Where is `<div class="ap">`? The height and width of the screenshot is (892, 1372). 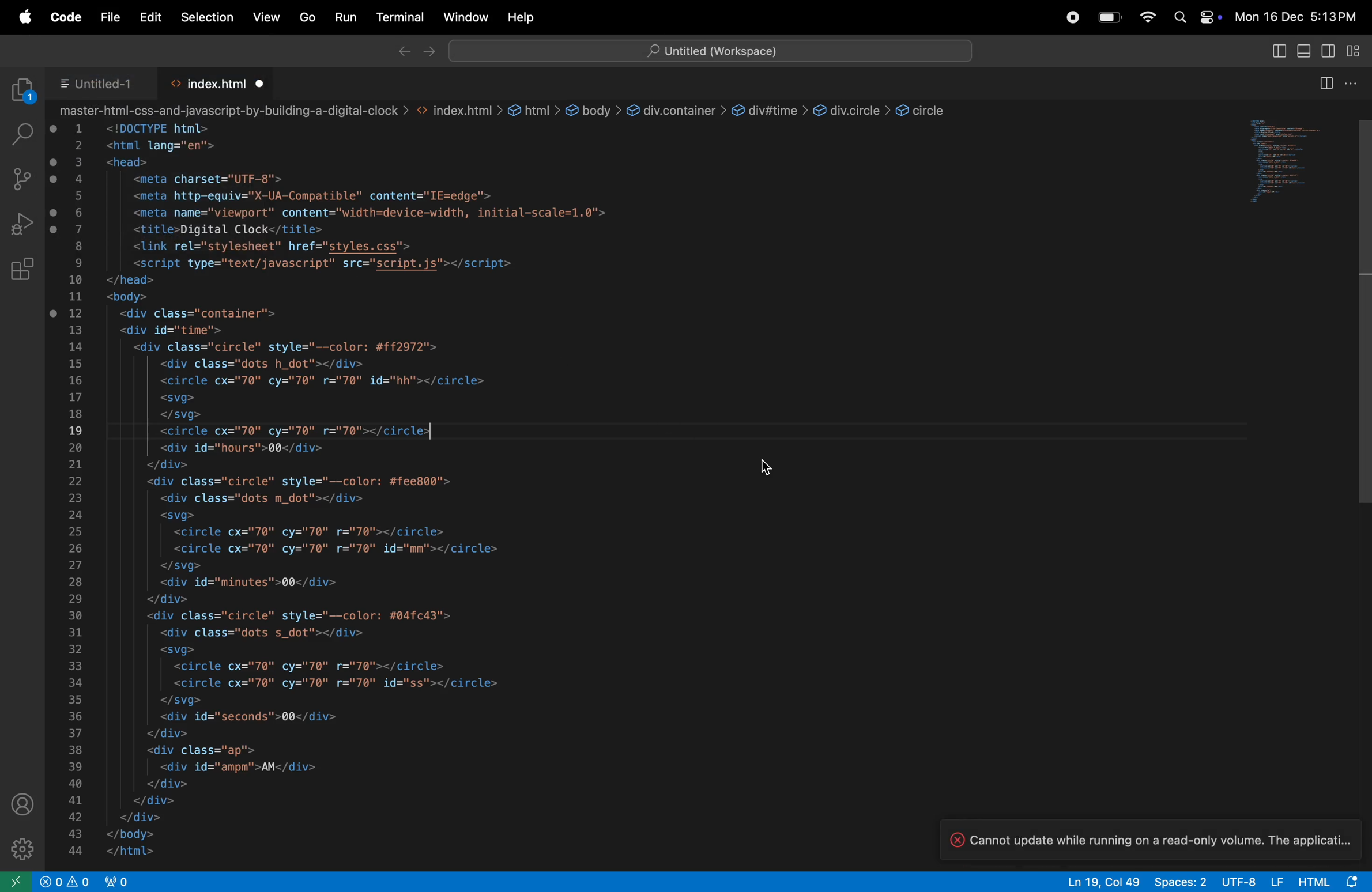 <div class="ap"> is located at coordinates (206, 750).